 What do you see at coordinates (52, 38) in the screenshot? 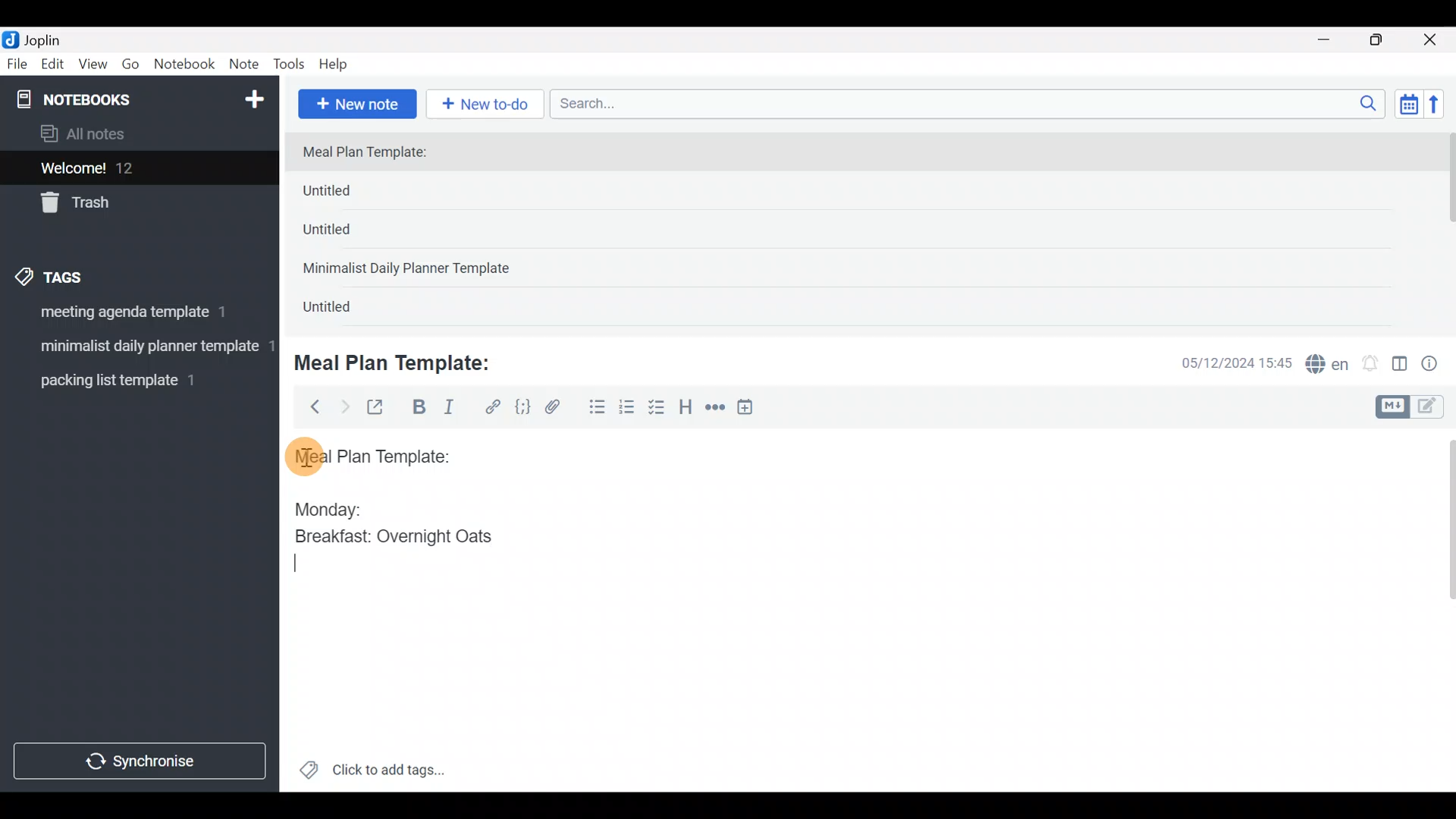
I see `Joplin` at bounding box center [52, 38].